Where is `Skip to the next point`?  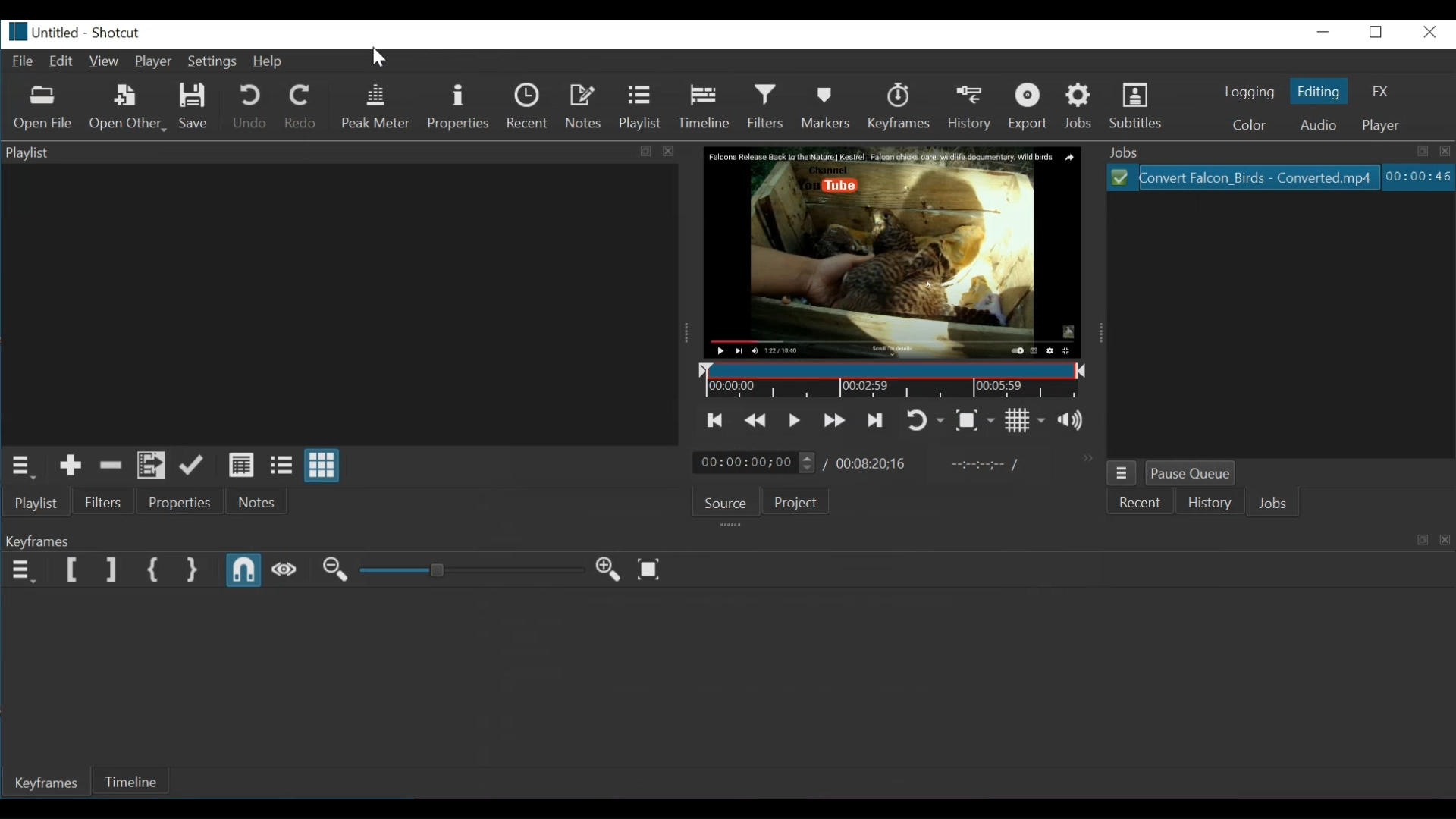 Skip to the next point is located at coordinates (874, 419).